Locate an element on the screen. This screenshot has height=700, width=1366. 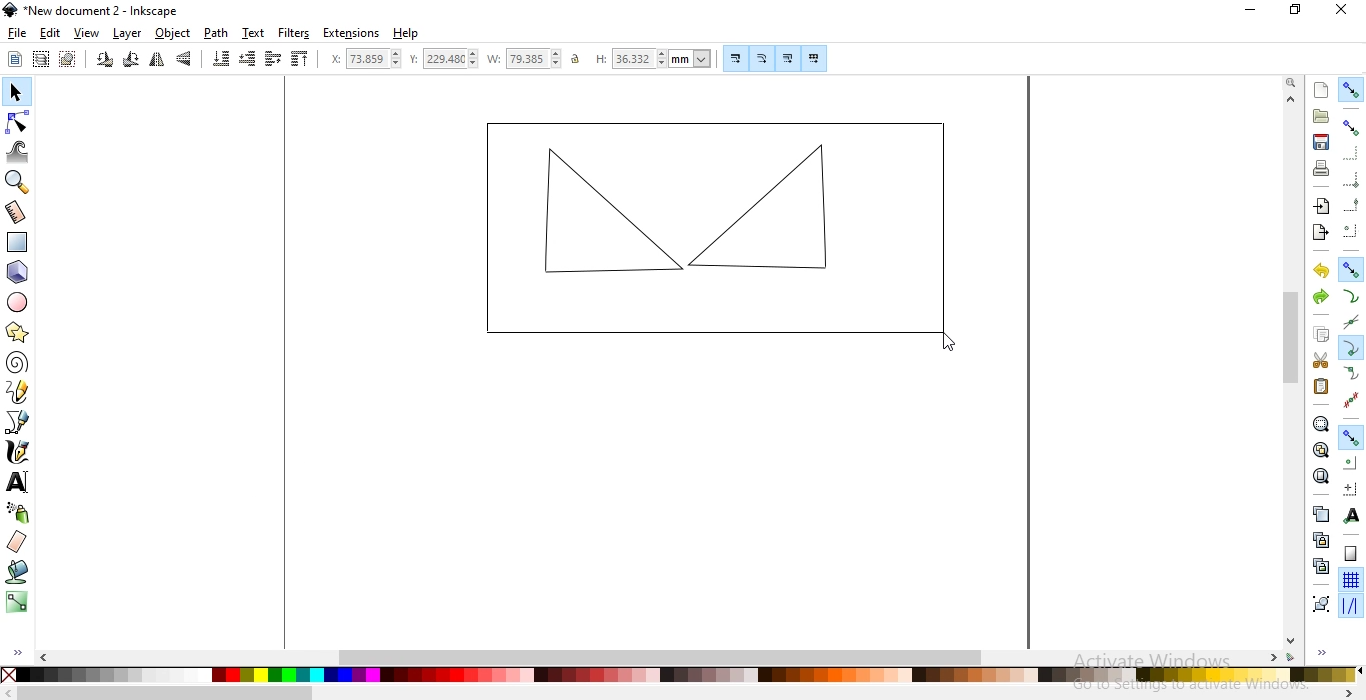
scale radii of rounded corners is located at coordinates (762, 58).